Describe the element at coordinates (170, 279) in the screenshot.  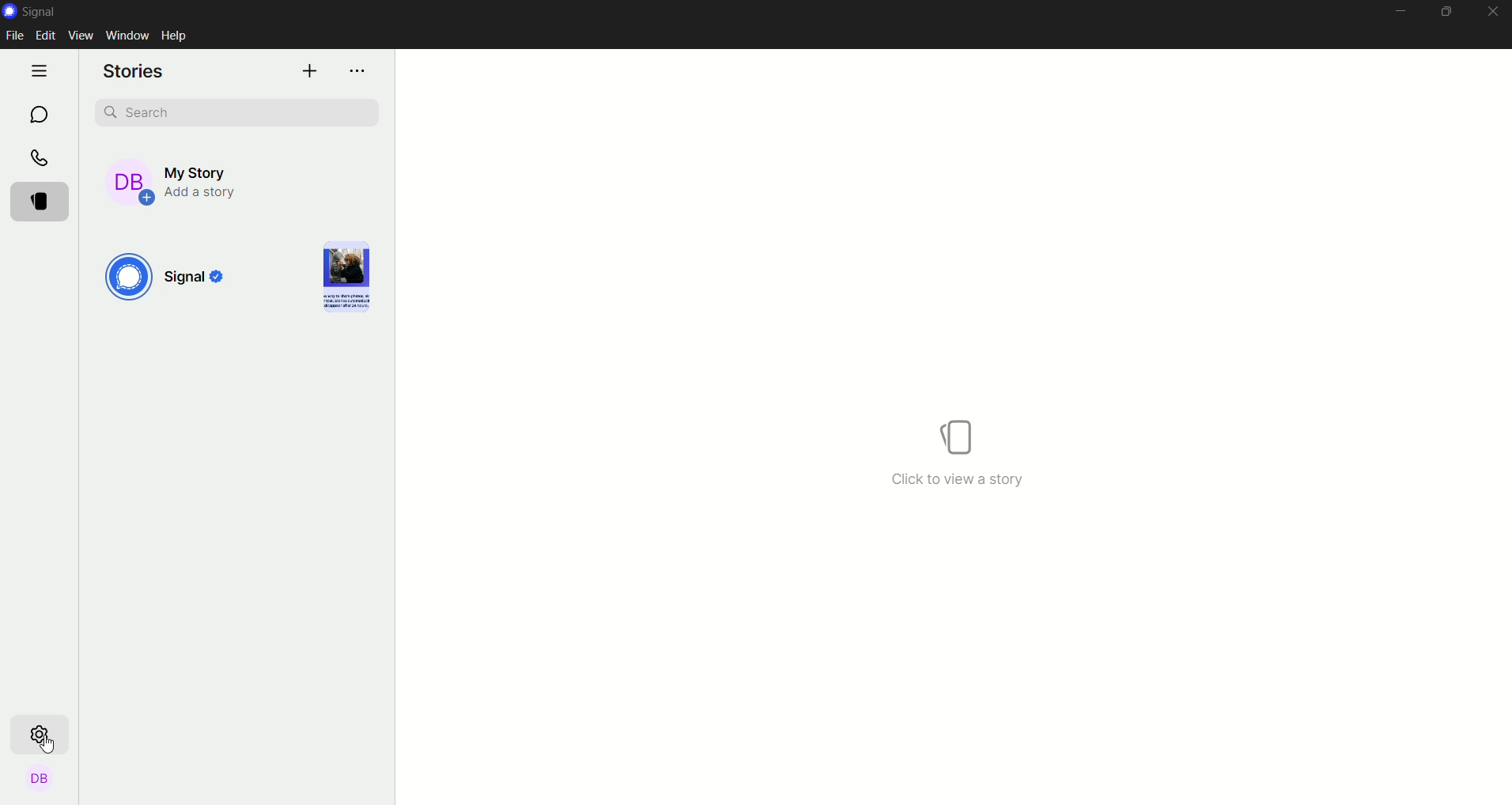
I see `signal logo` at that location.